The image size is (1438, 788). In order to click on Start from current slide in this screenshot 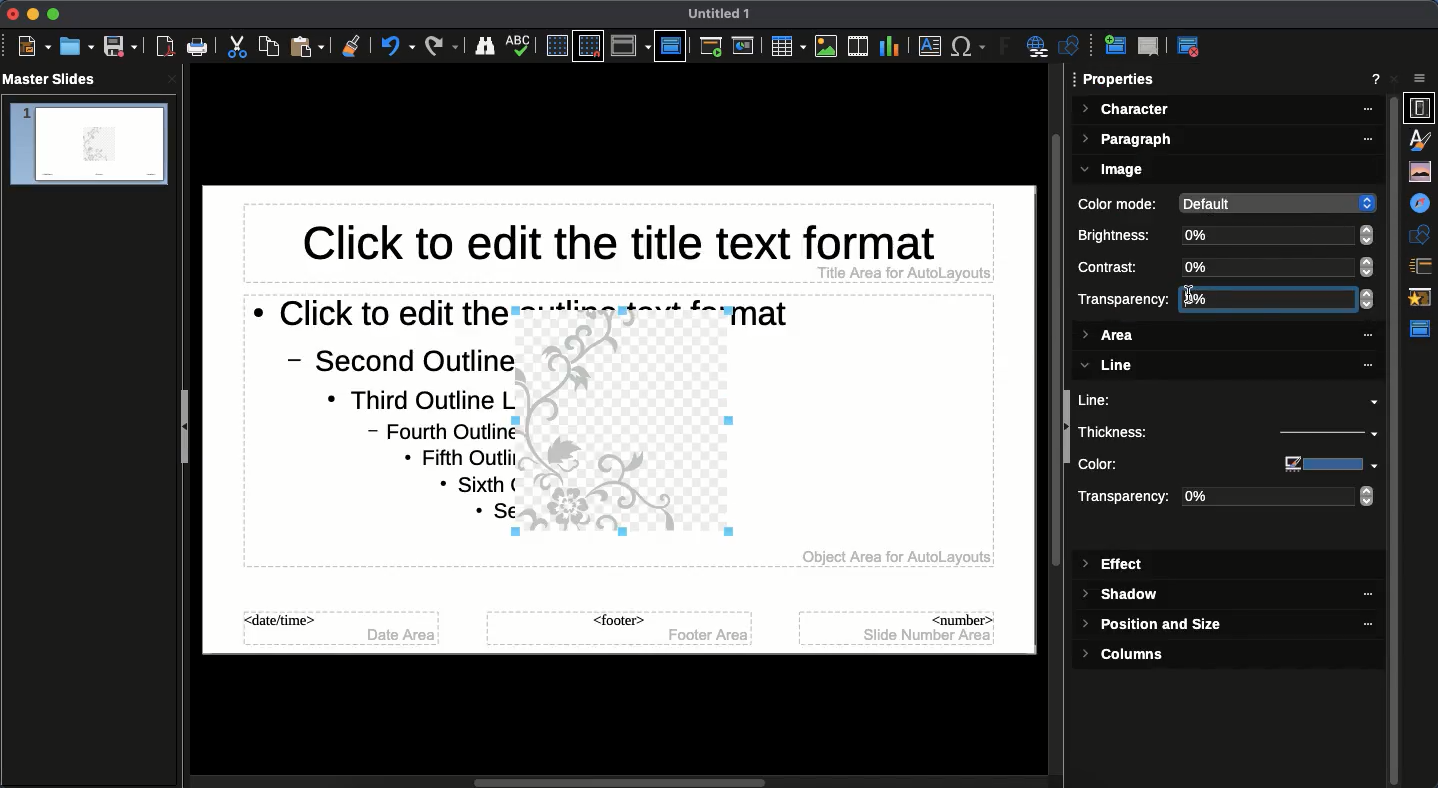, I will do `click(745, 46)`.